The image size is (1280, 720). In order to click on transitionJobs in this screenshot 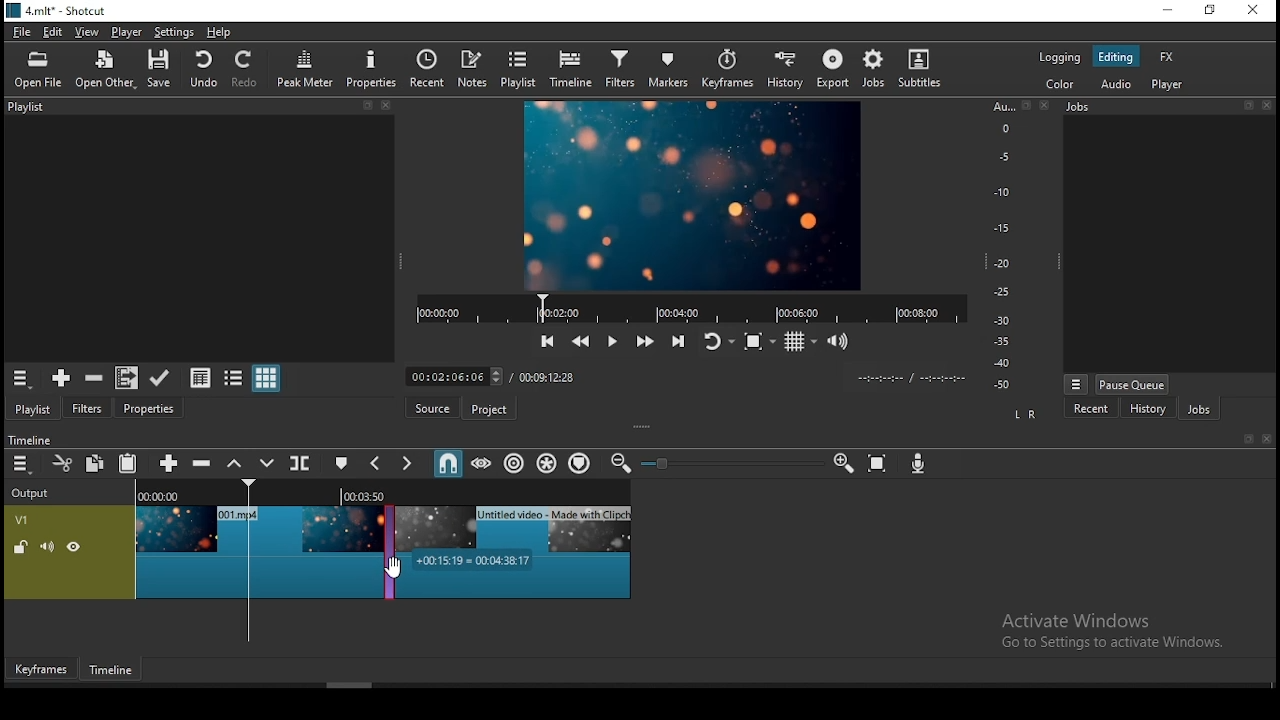, I will do `click(385, 552)`.